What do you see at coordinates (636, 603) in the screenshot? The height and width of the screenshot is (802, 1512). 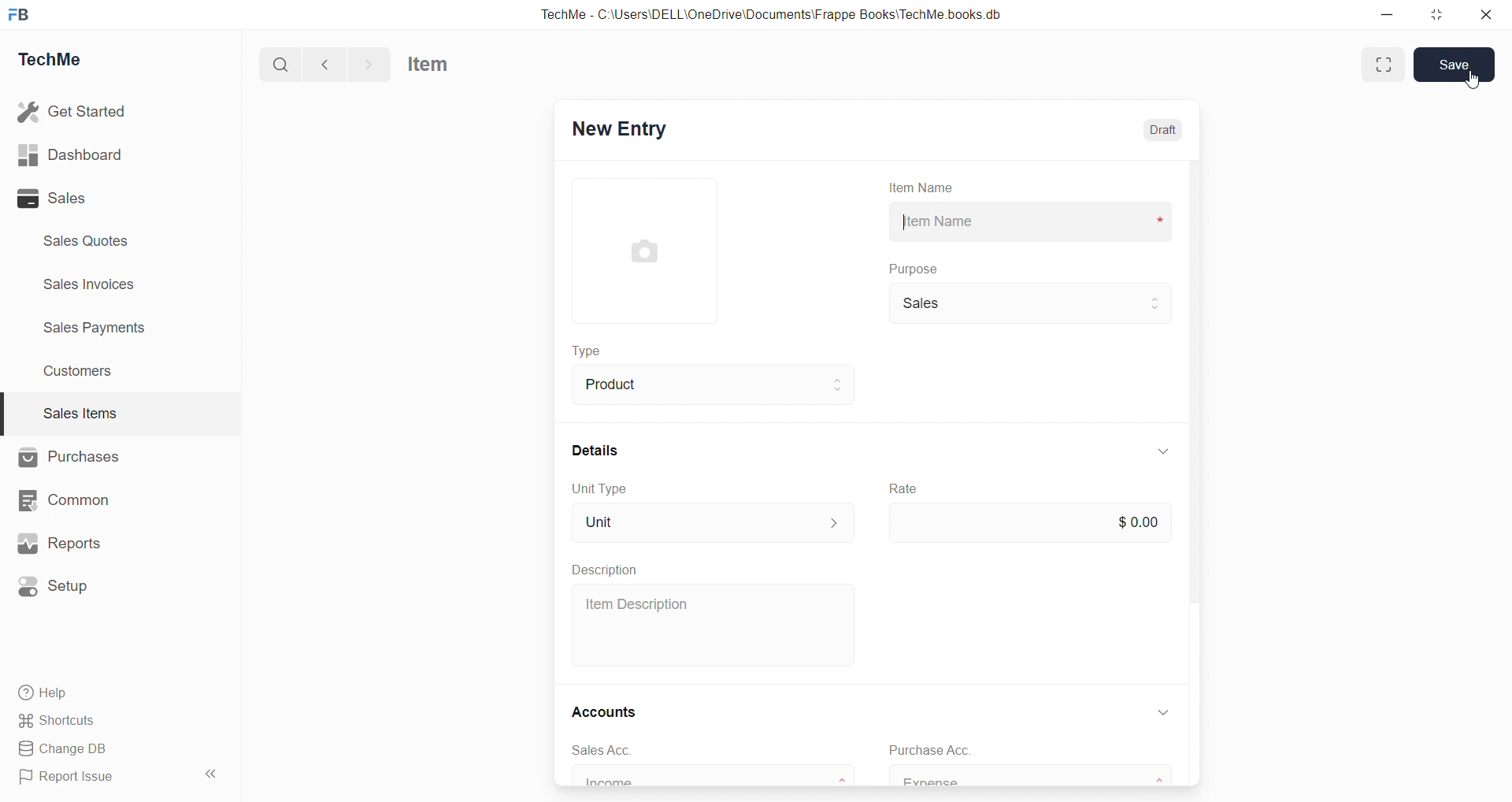 I see `Item Description` at bounding box center [636, 603].